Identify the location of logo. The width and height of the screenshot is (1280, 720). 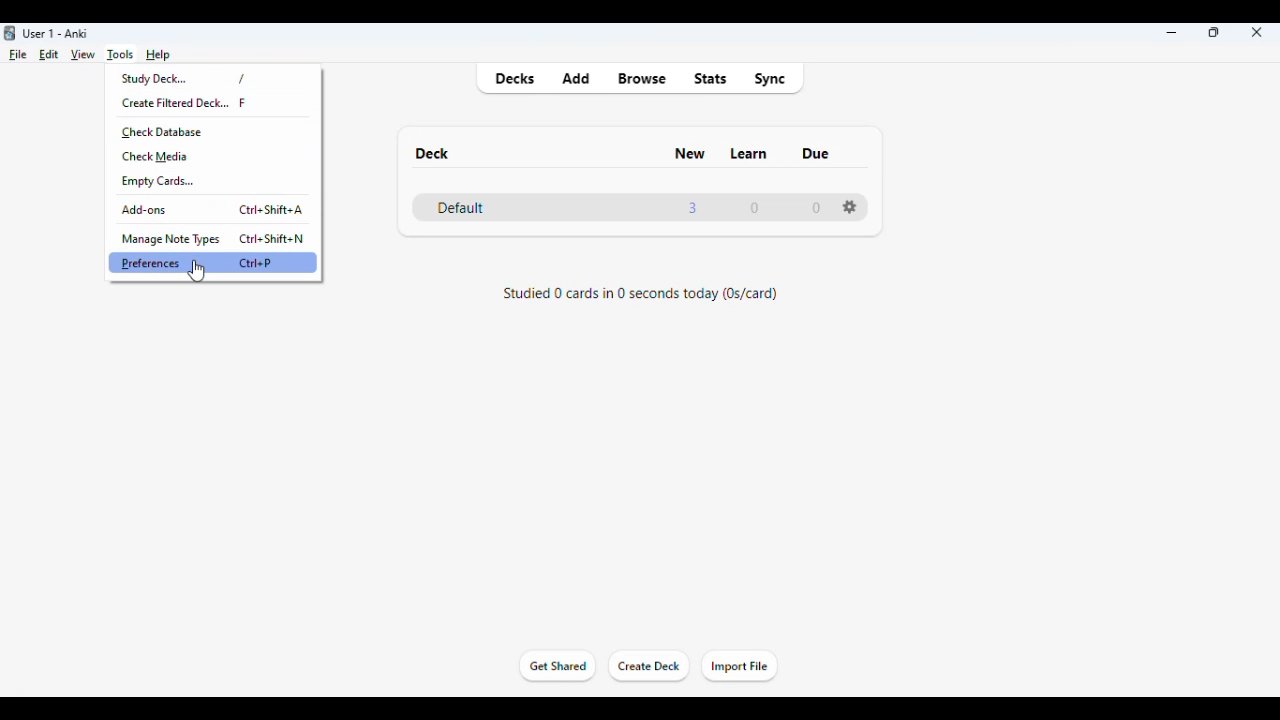
(10, 33).